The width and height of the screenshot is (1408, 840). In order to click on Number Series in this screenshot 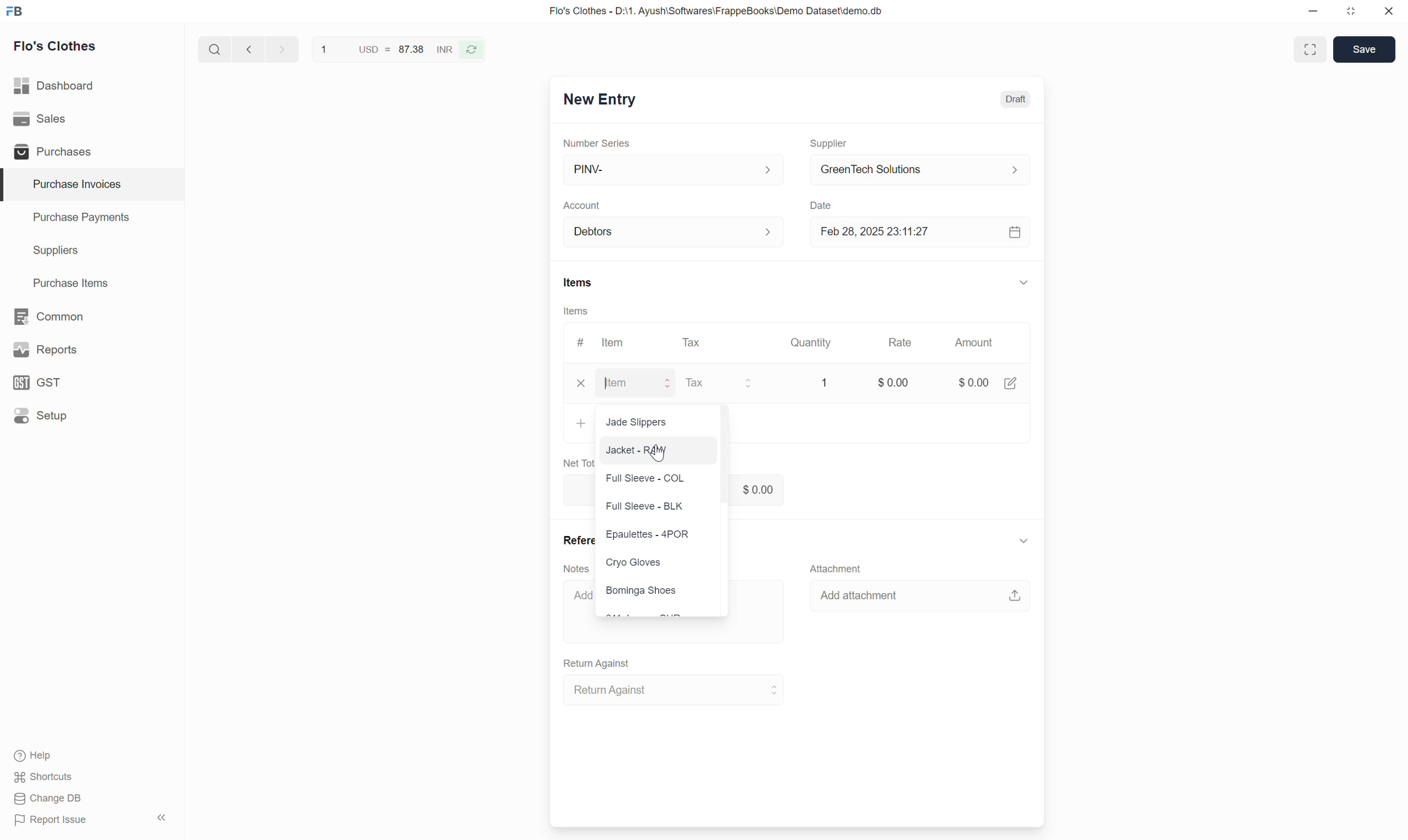, I will do `click(596, 143)`.